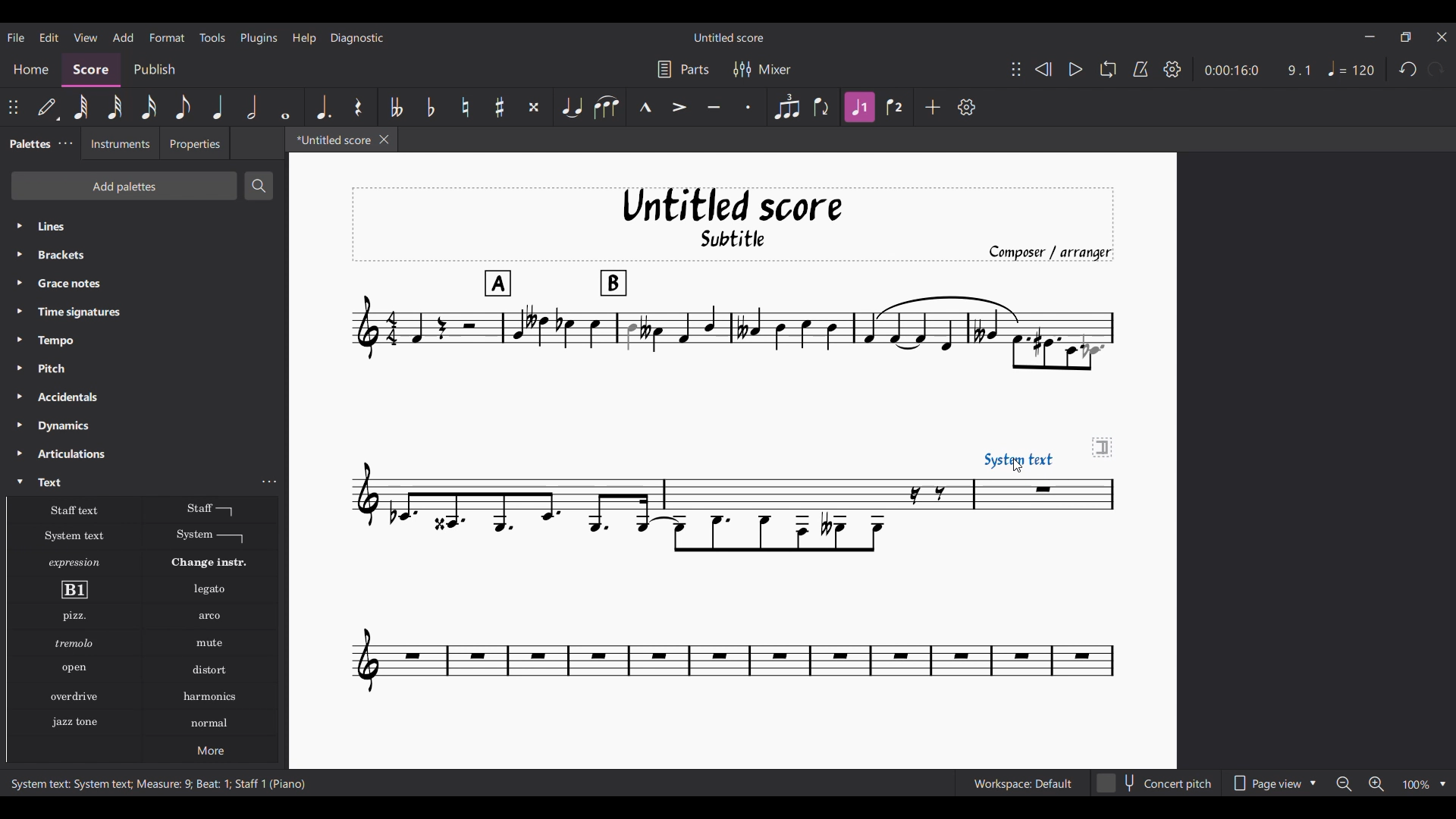 Image resolution: width=1456 pixels, height=819 pixels. I want to click on System text: System text; Measure: 9; Beat: 1; Staff 1 (Piano), so click(156, 783).